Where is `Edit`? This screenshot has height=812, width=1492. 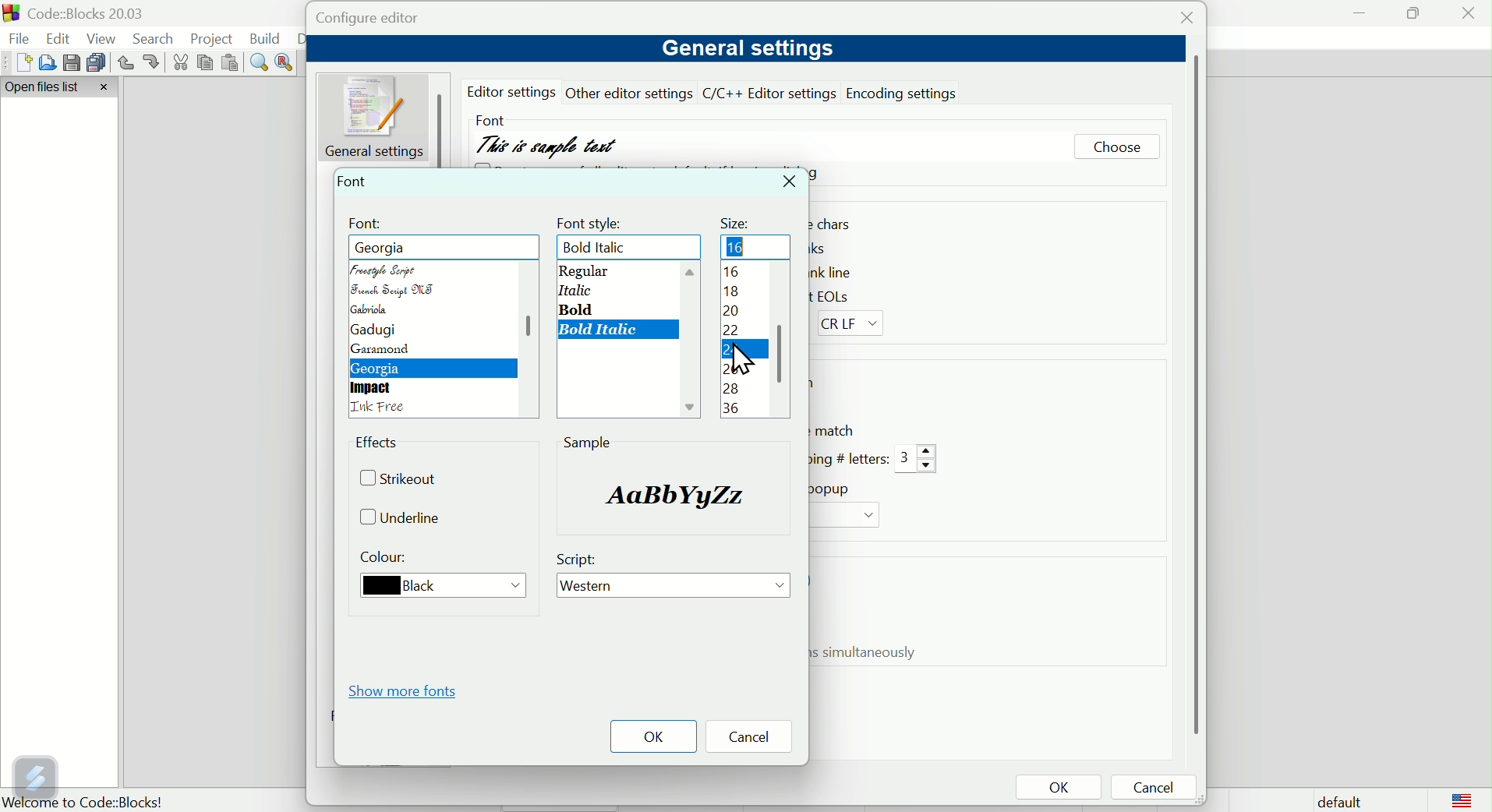 Edit is located at coordinates (60, 37).